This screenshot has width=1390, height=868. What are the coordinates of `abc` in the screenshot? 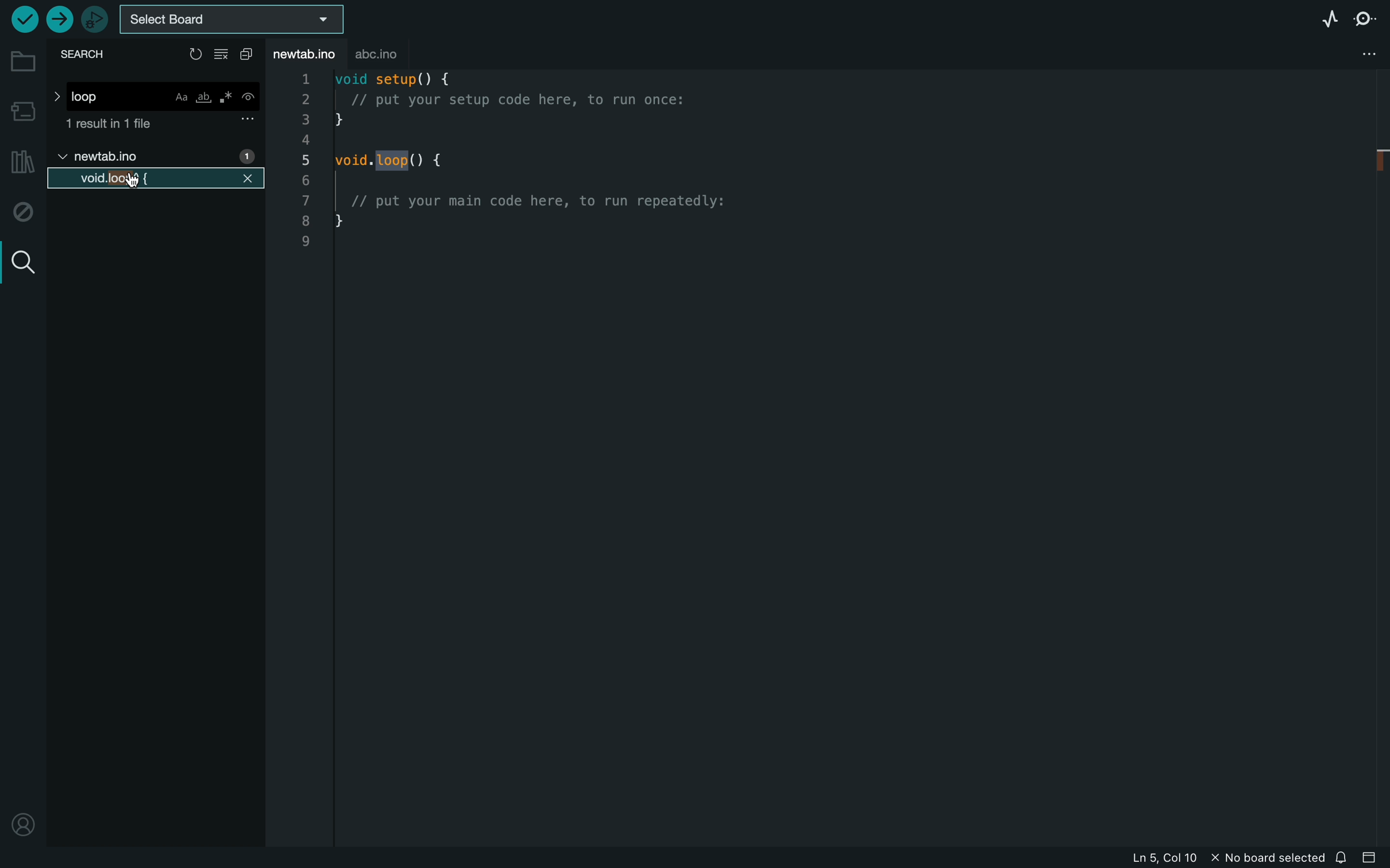 It's located at (385, 52).